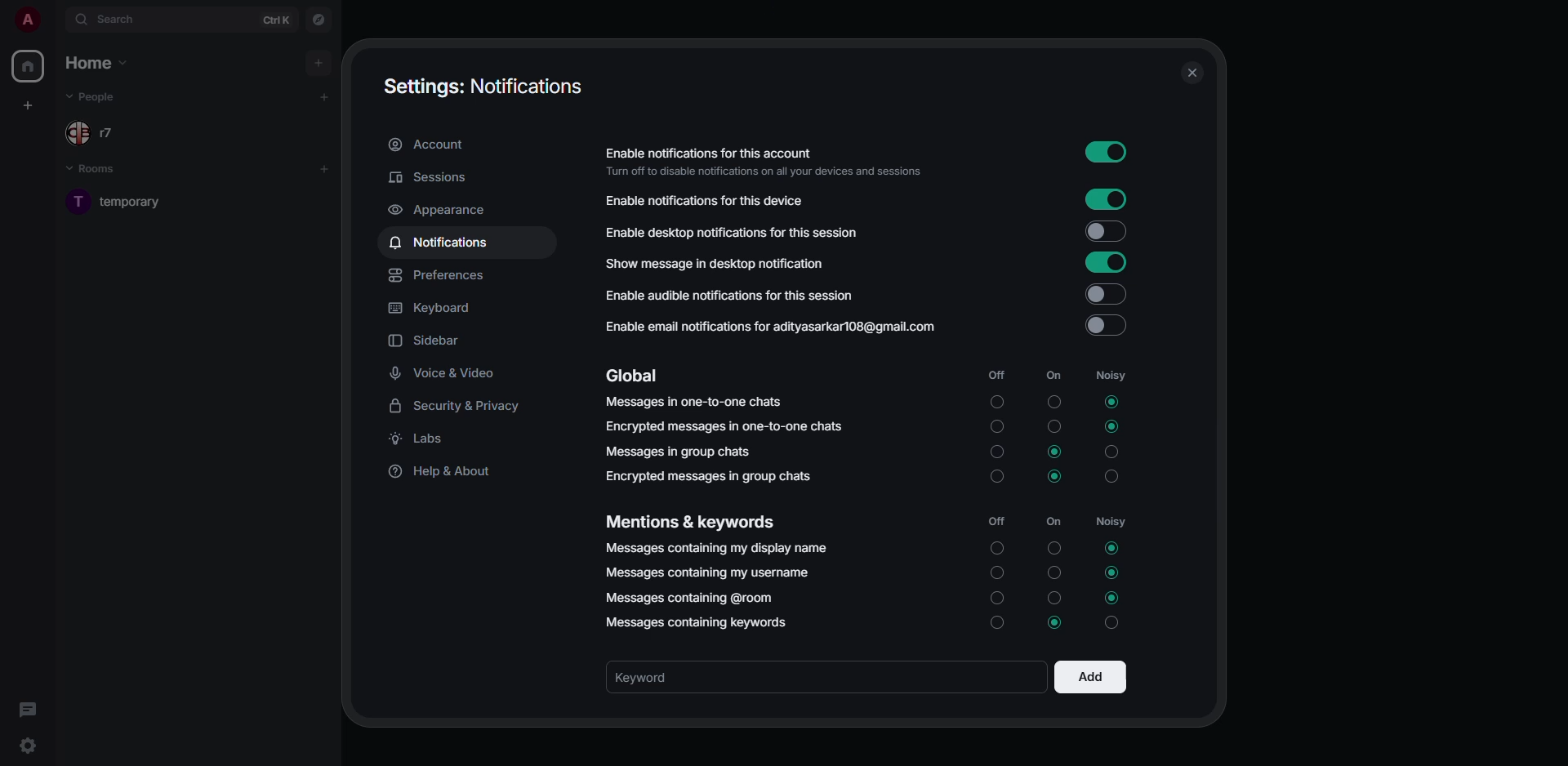  I want to click on messages containing username, so click(706, 572).